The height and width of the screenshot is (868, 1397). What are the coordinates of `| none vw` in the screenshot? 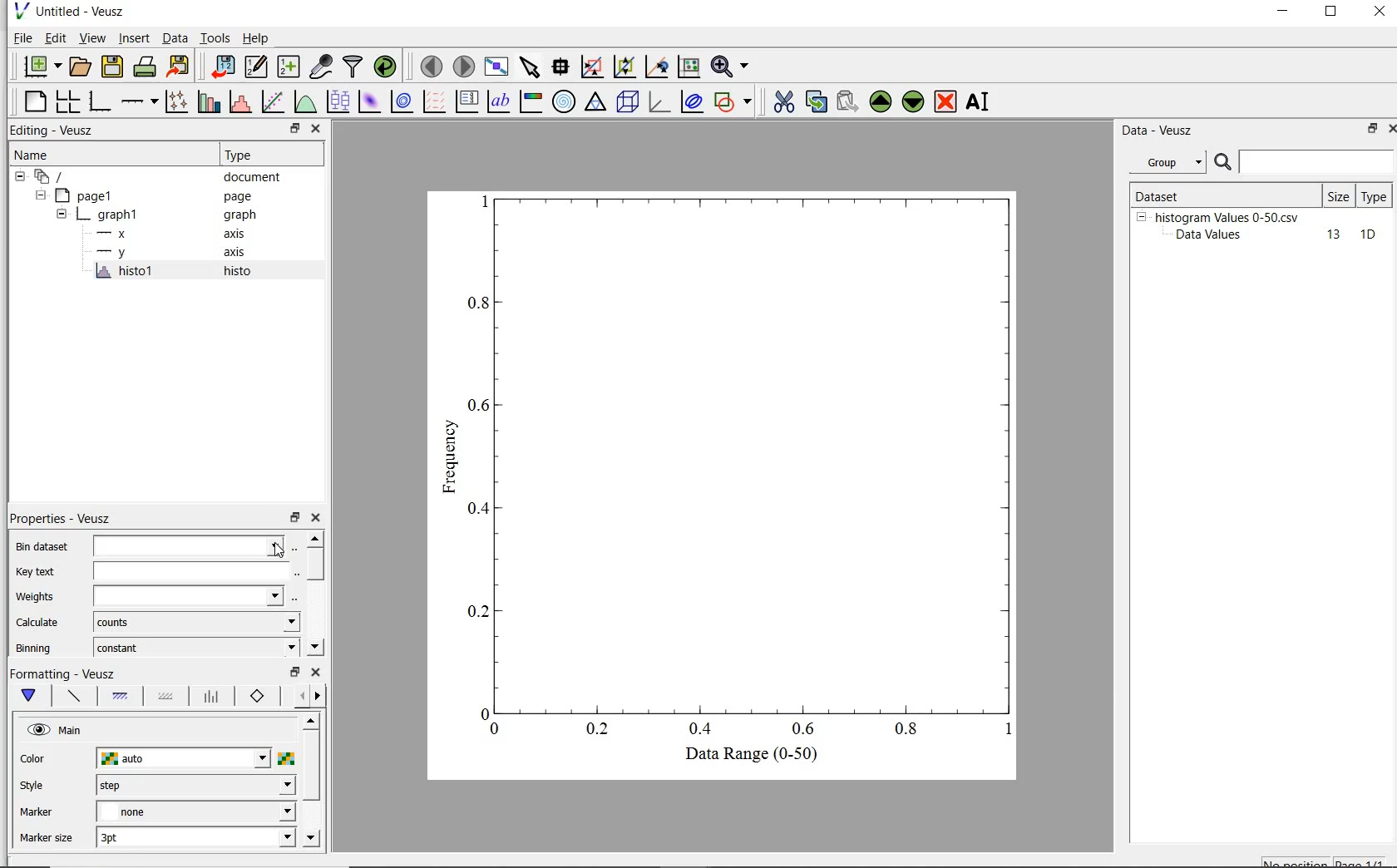 It's located at (195, 811).